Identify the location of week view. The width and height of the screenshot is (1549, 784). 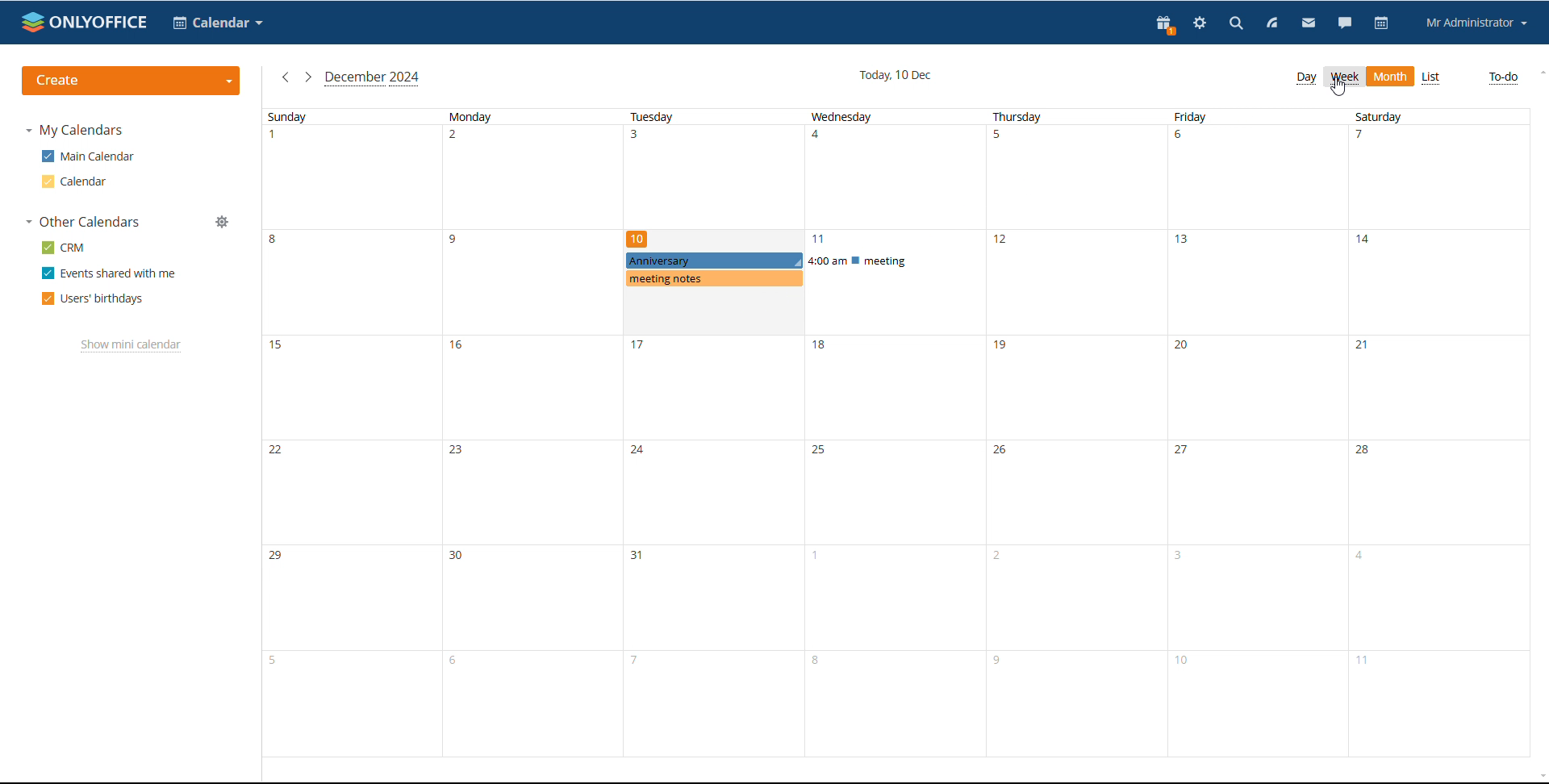
(1344, 77).